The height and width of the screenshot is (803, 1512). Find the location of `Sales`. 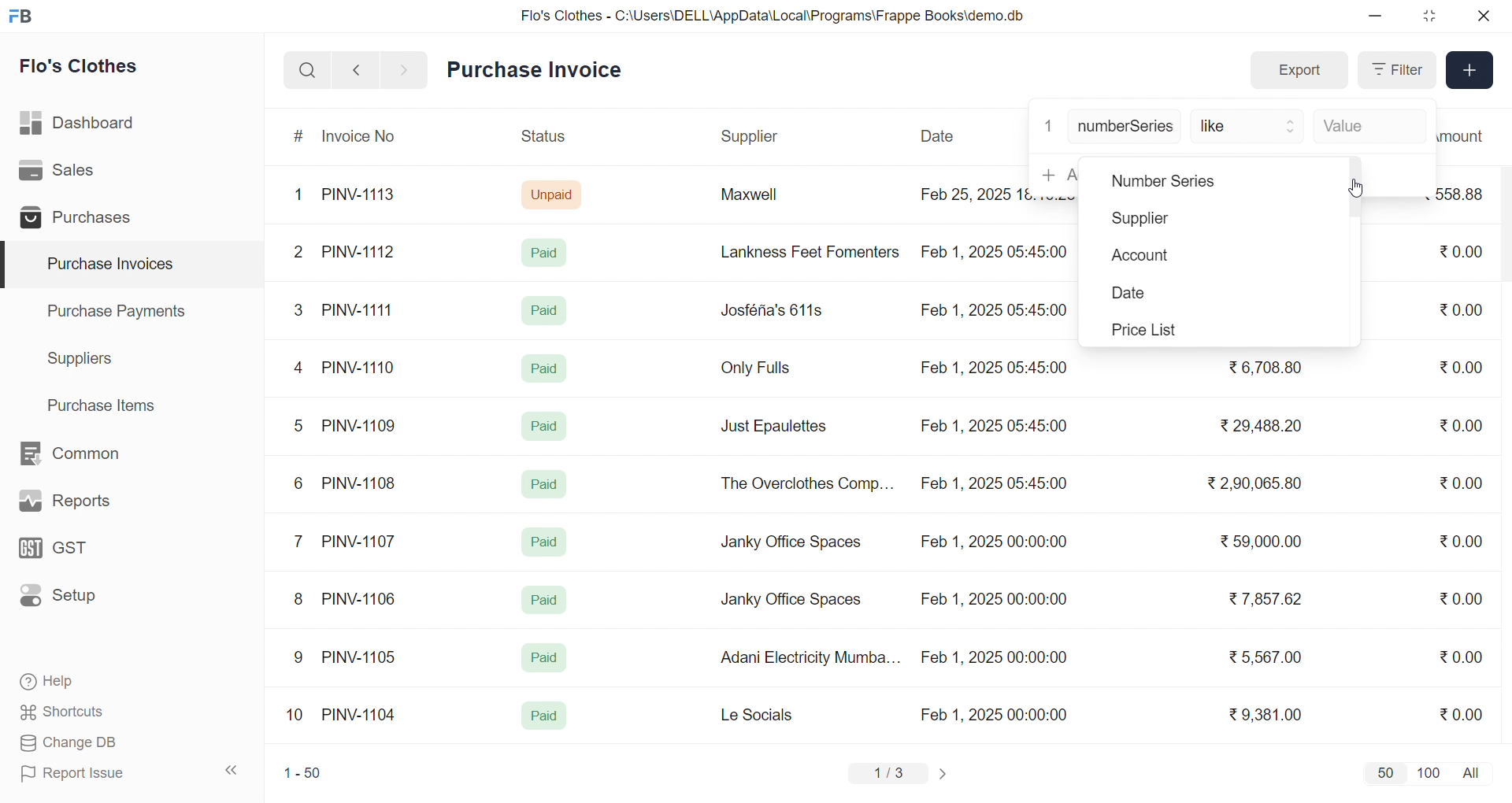

Sales is located at coordinates (81, 173).